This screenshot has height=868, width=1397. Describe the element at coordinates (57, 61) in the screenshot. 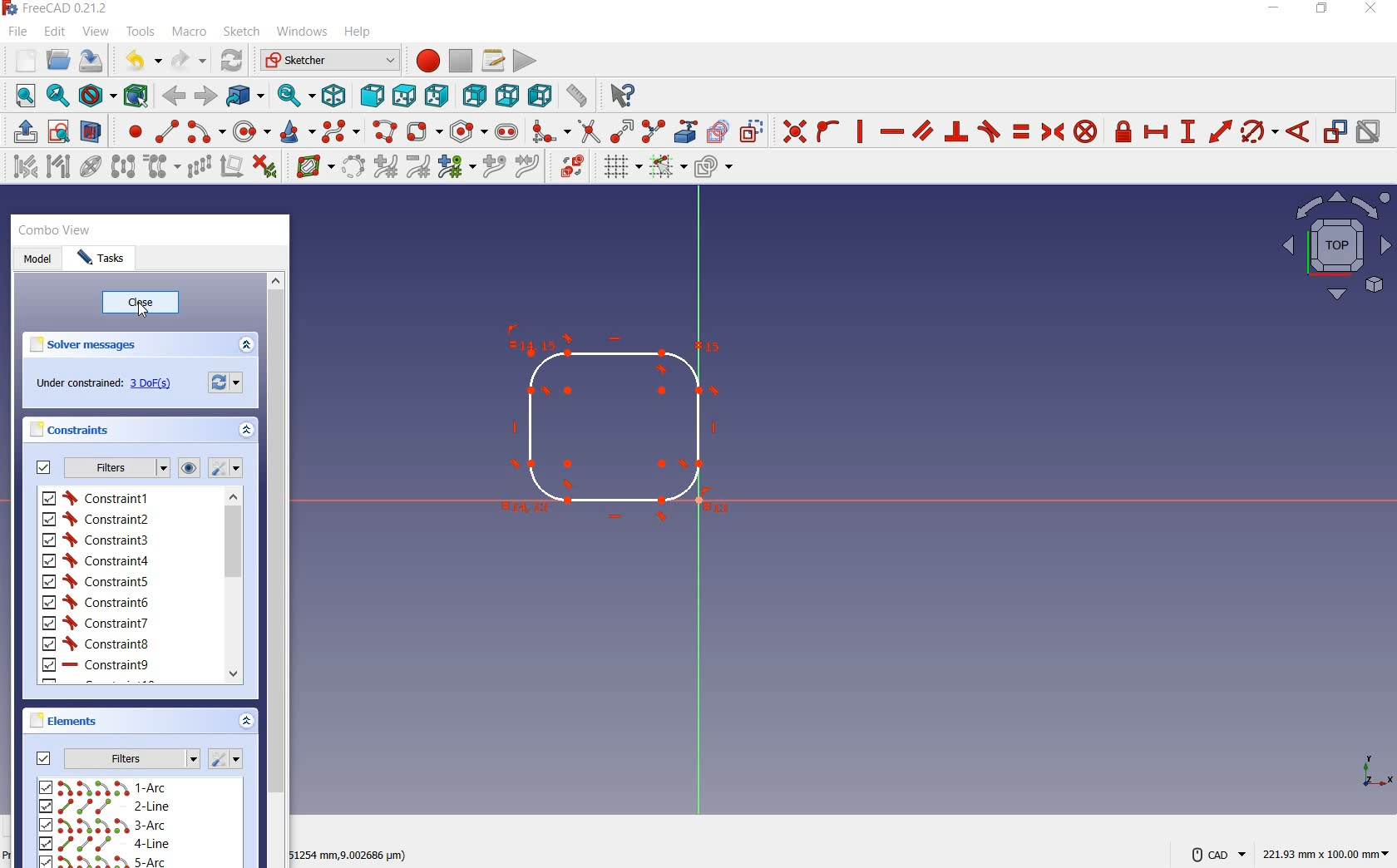

I see `open` at that location.